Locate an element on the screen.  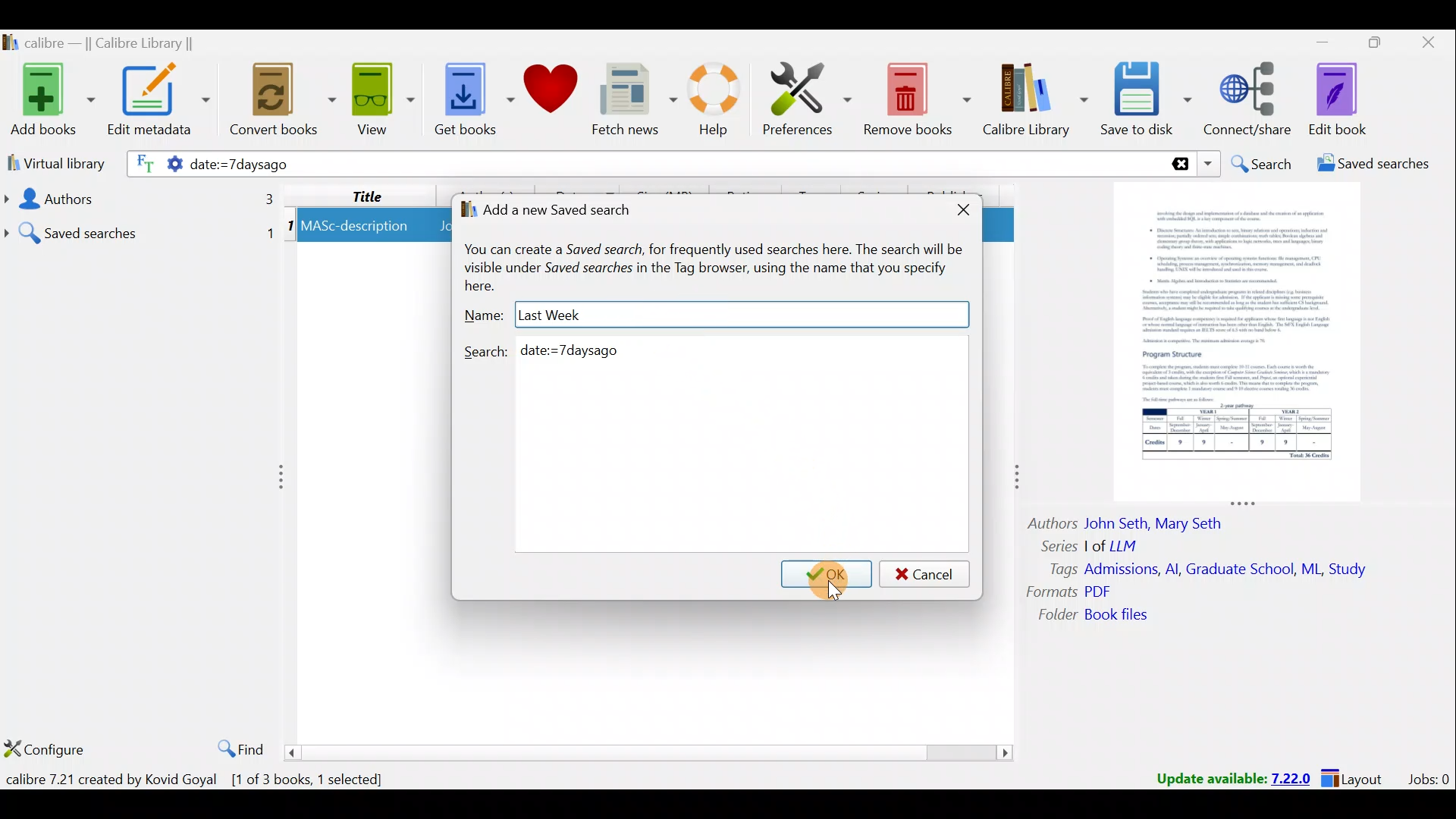
Tags Admissions, Al, Graduate School, ML, Study is located at coordinates (1210, 570).